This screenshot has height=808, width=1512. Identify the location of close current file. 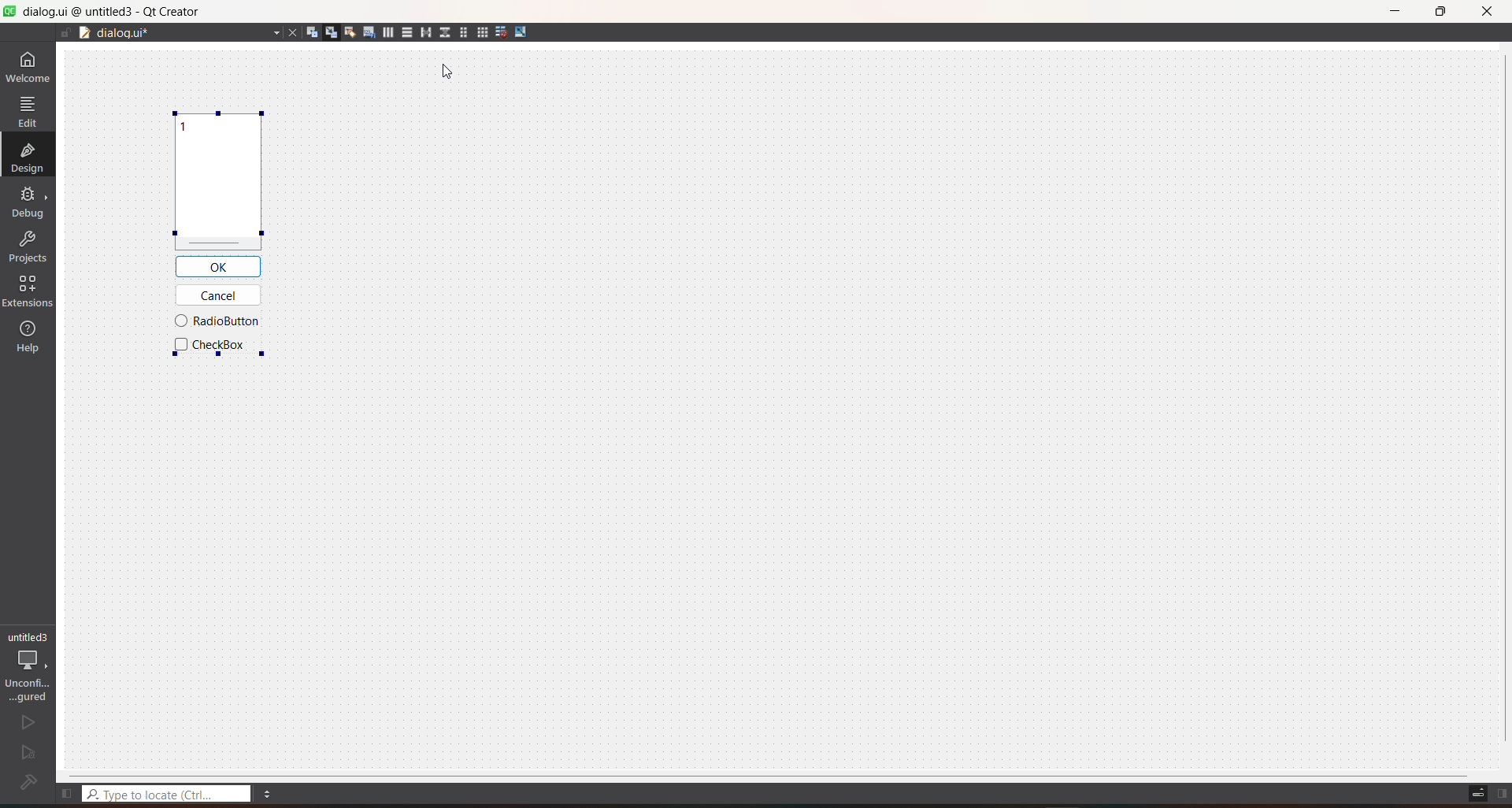
(290, 35).